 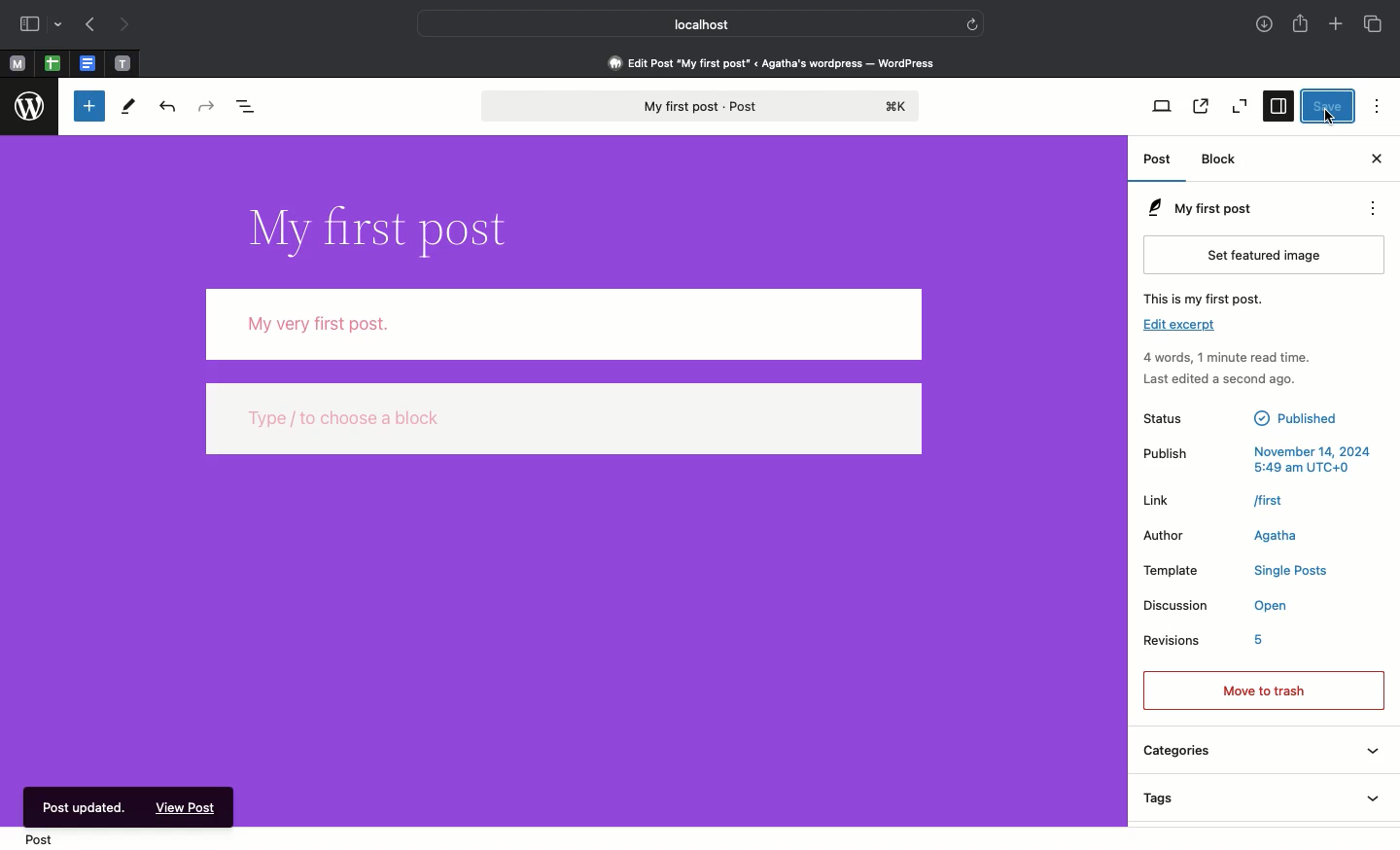 What do you see at coordinates (87, 107) in the screenshot?
I see `Toggle block` at bounding box center [87, 107].